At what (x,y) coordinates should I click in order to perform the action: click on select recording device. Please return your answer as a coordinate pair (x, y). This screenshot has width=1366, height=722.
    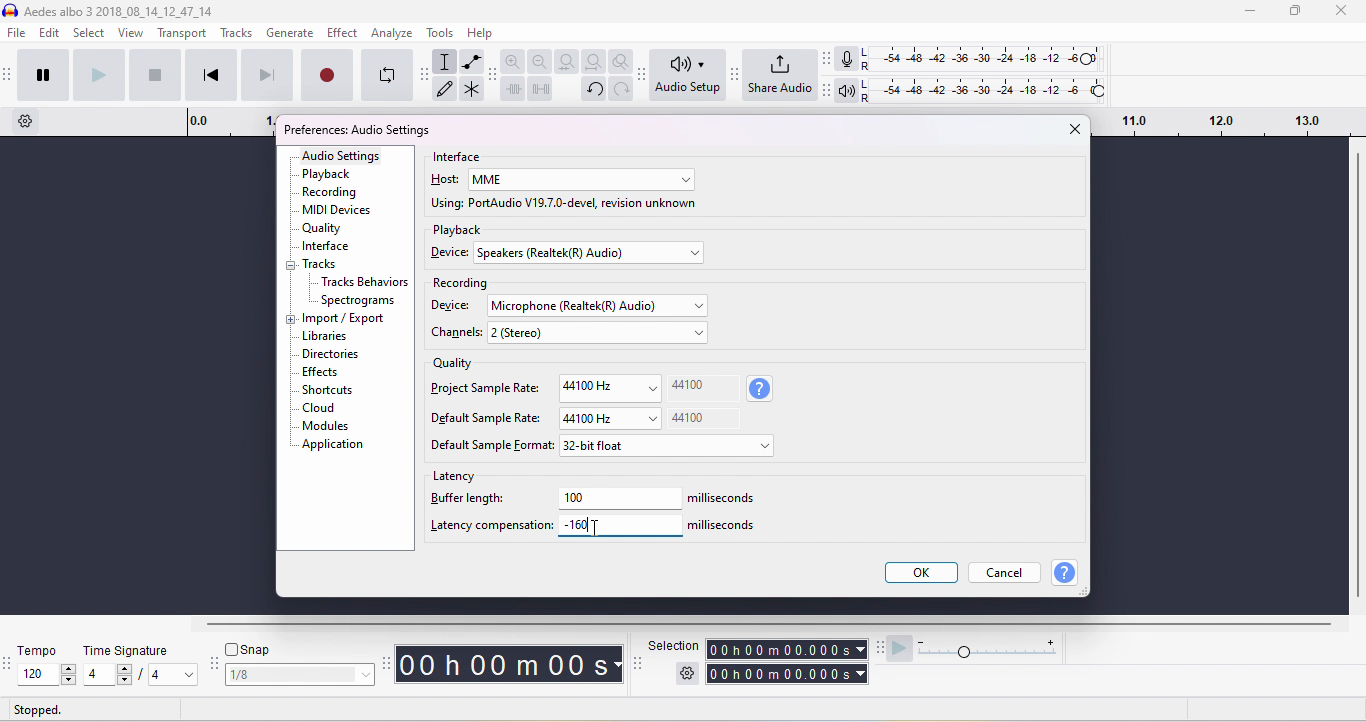
    Looking at the image, I should click on (605, 306).